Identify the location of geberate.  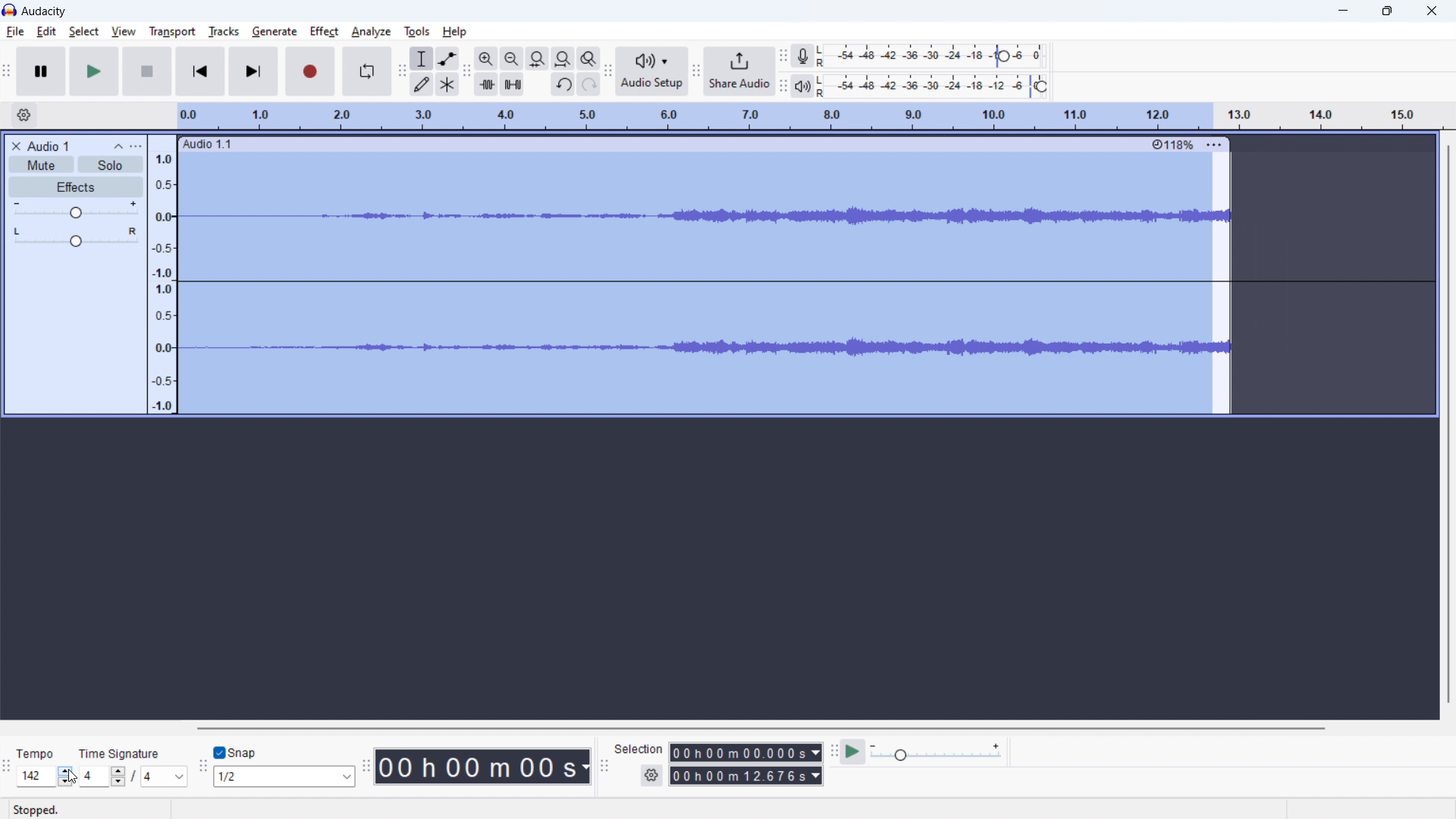
(274, 32).